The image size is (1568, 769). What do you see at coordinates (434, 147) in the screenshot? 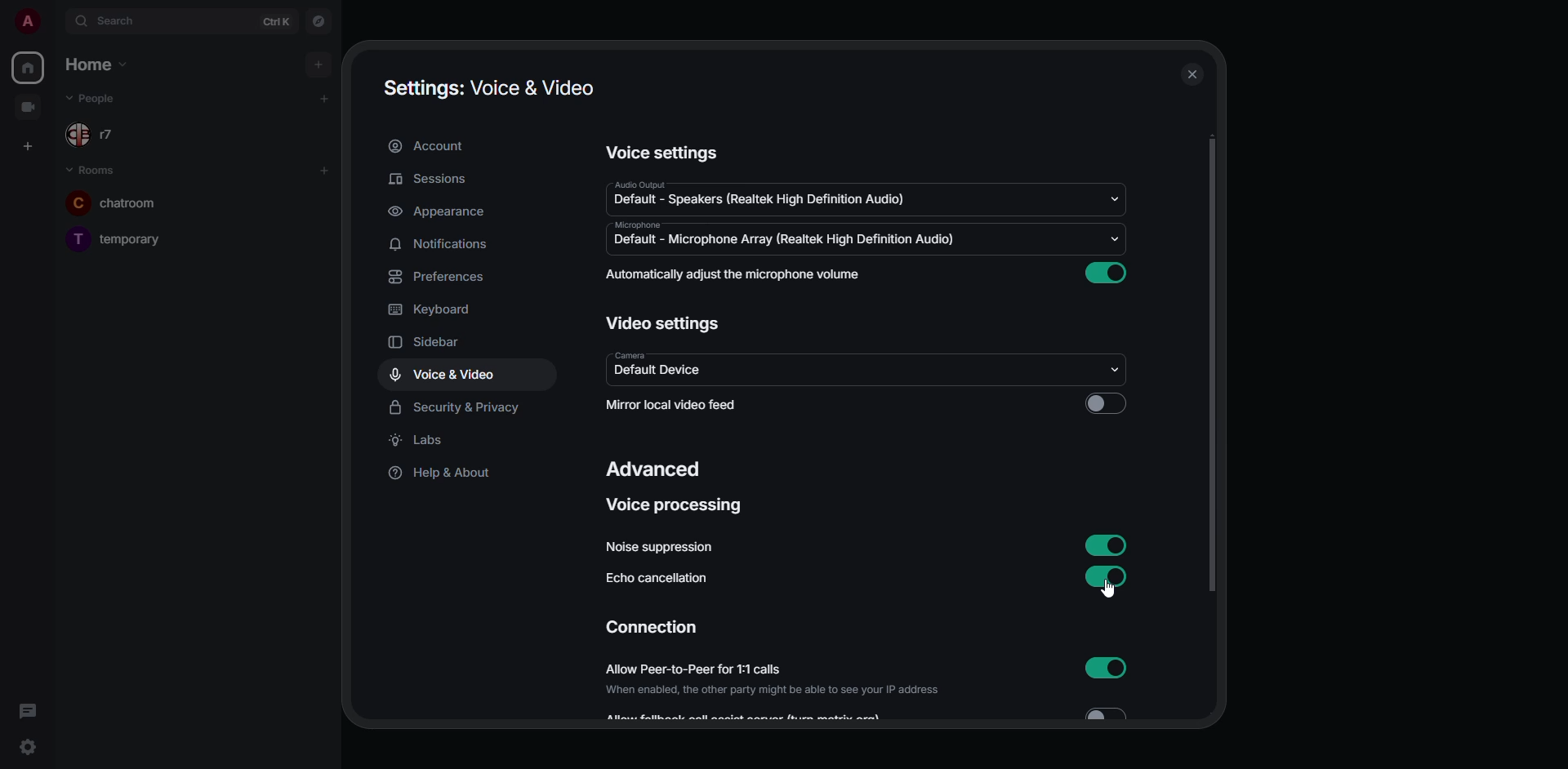
I see `account` at bounding box center [434, 147].